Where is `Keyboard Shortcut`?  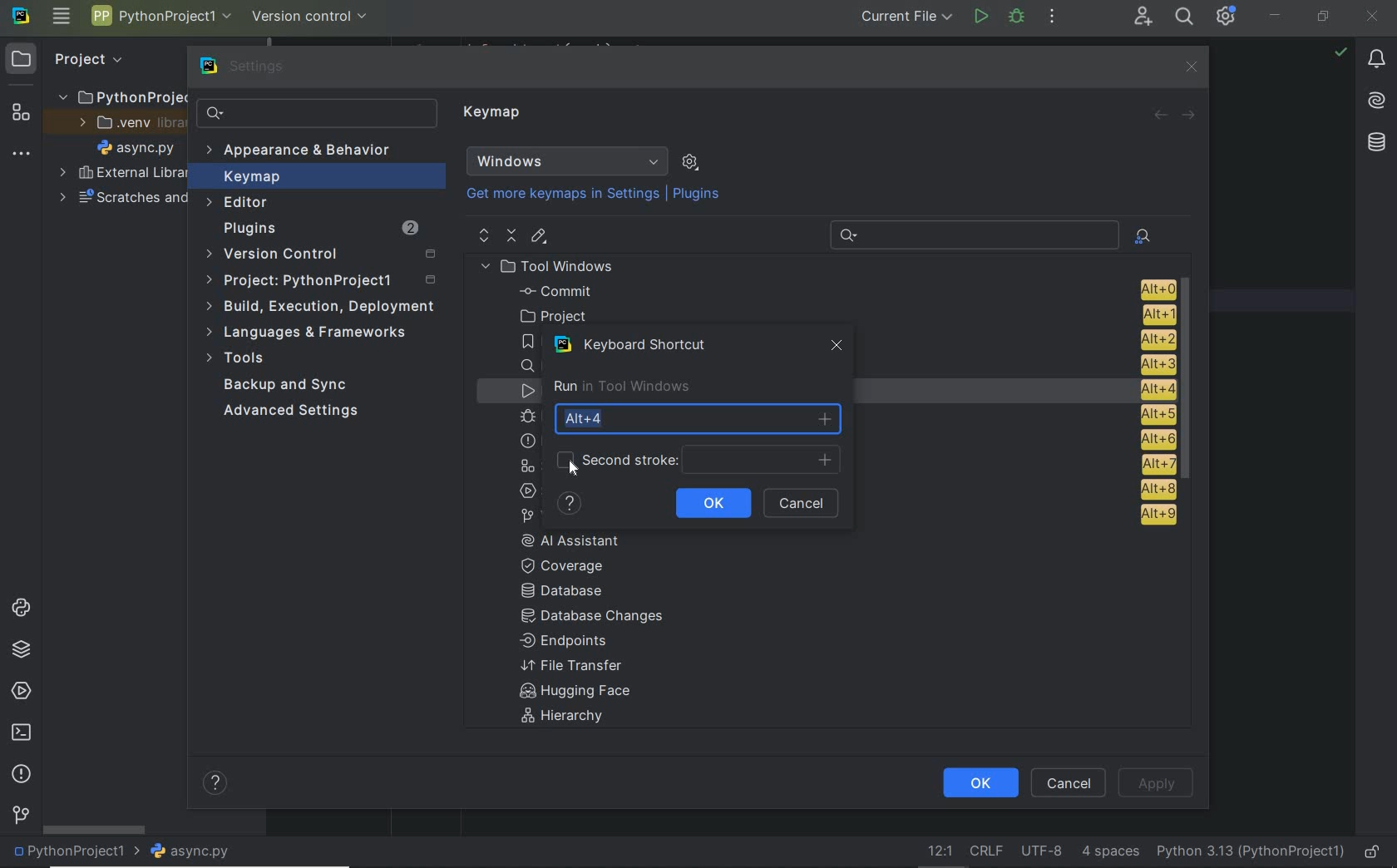 Keyboard Shortcut is located at coordinates (638, 345).